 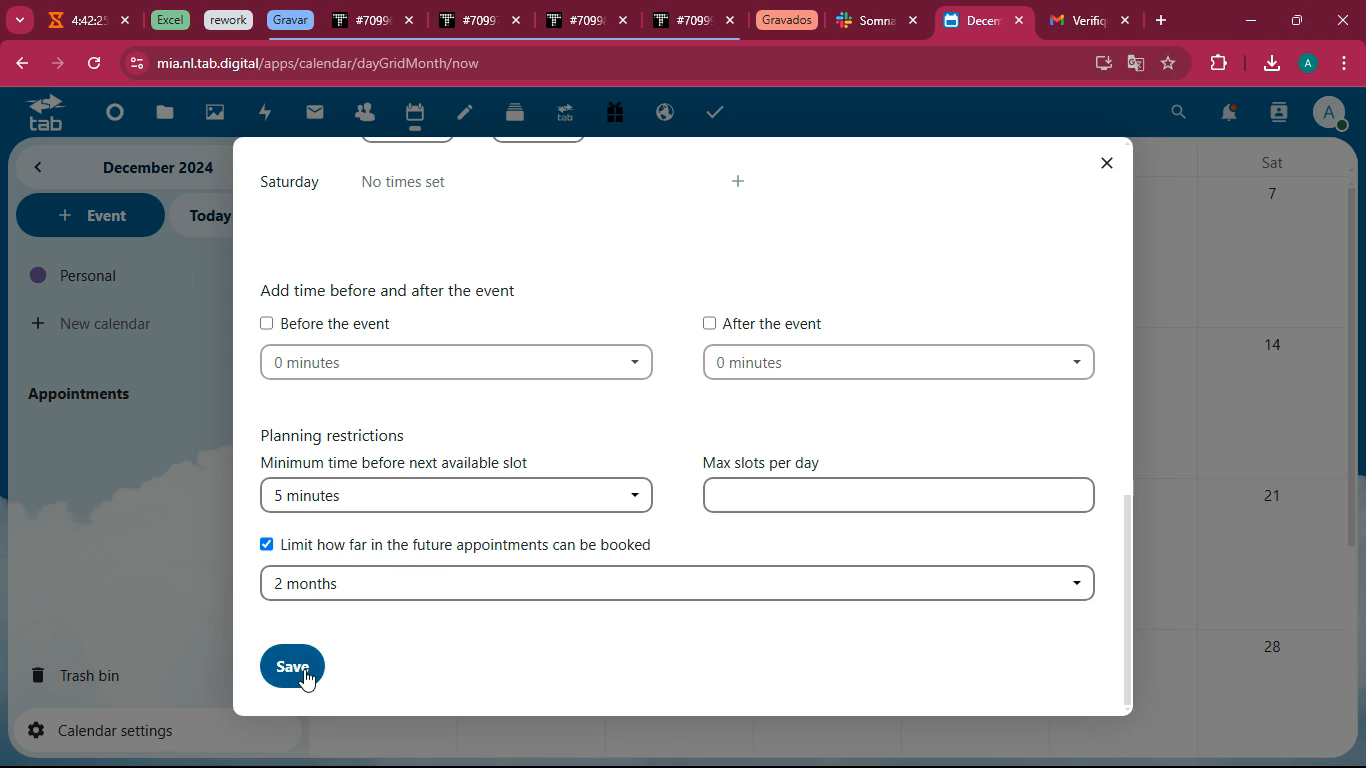 What do you see at coordinates (745, 187) in the screenshot?
I see `more` at bounding box center [745, 187].